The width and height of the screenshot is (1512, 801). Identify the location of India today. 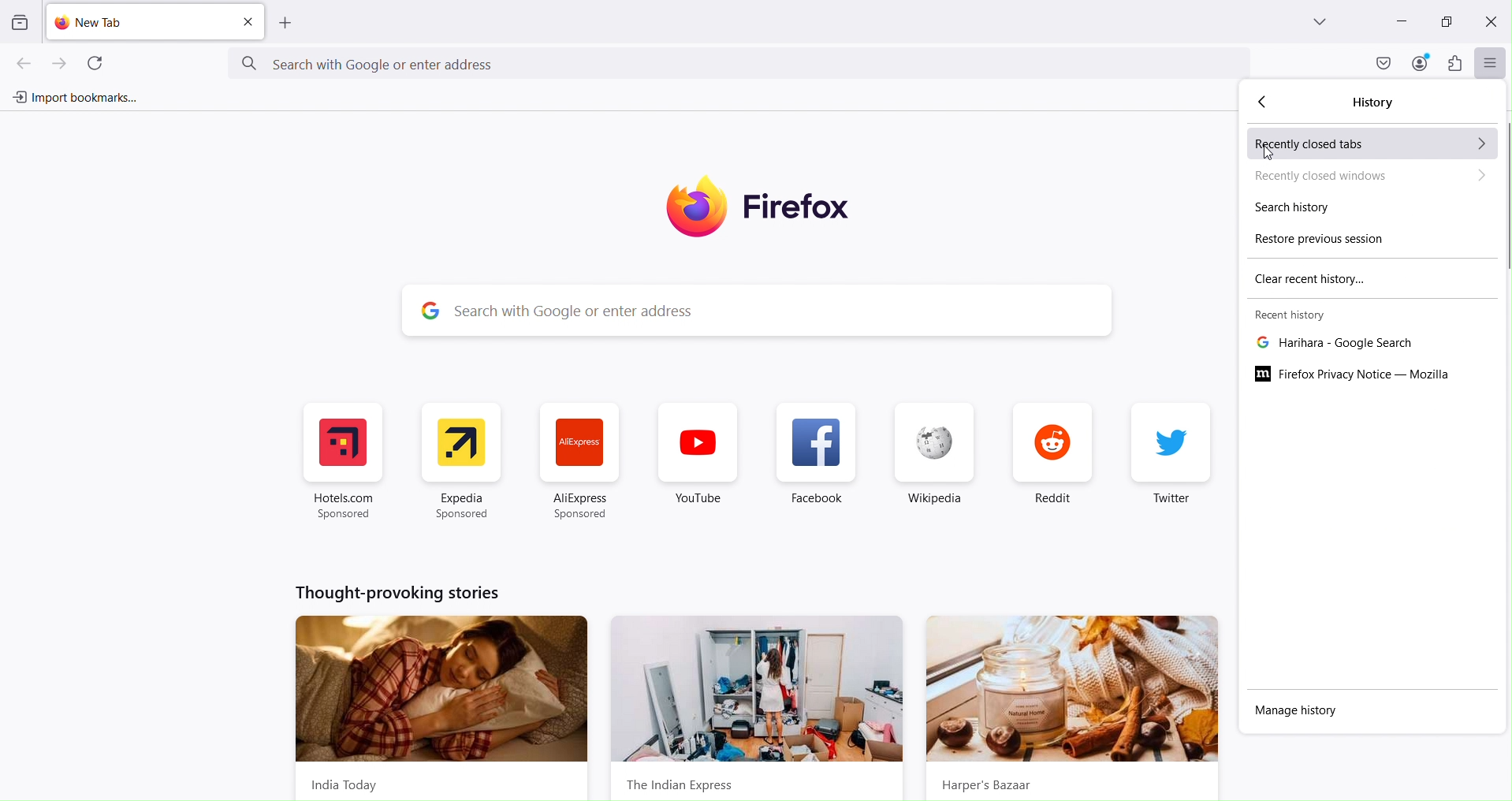
(438, 705).